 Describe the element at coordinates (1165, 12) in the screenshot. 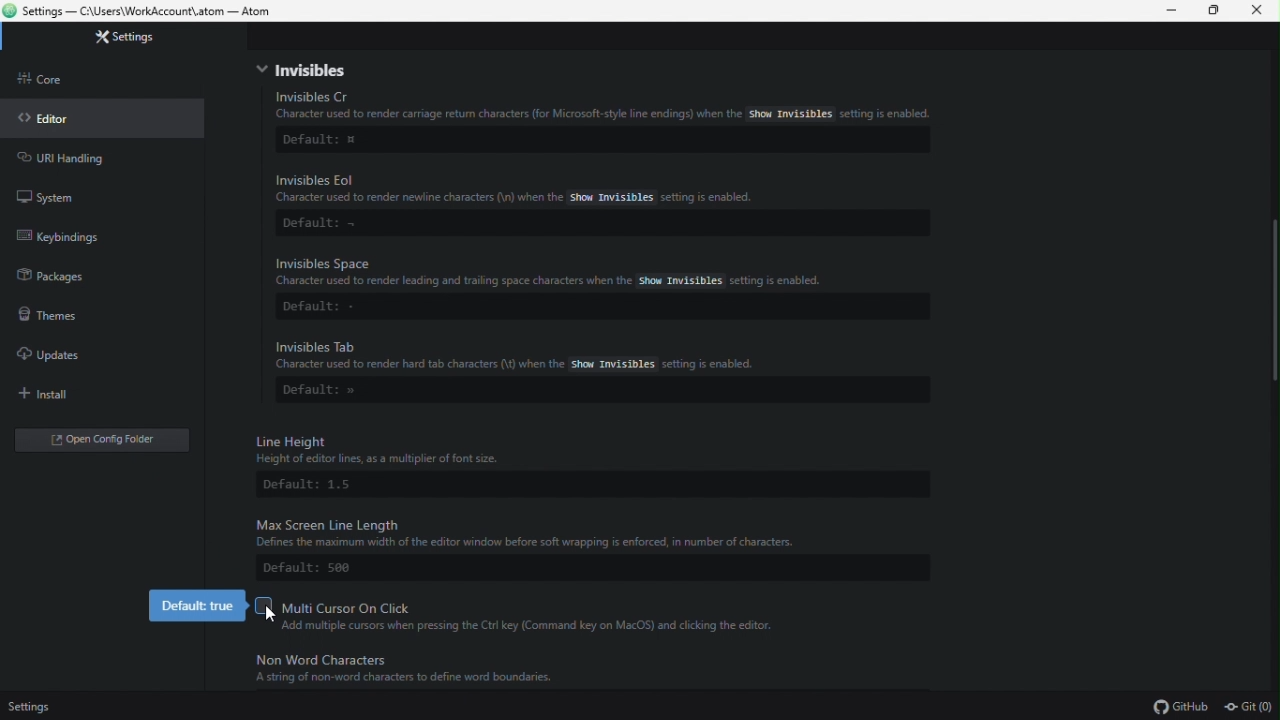

I see `Minimize` at that location.